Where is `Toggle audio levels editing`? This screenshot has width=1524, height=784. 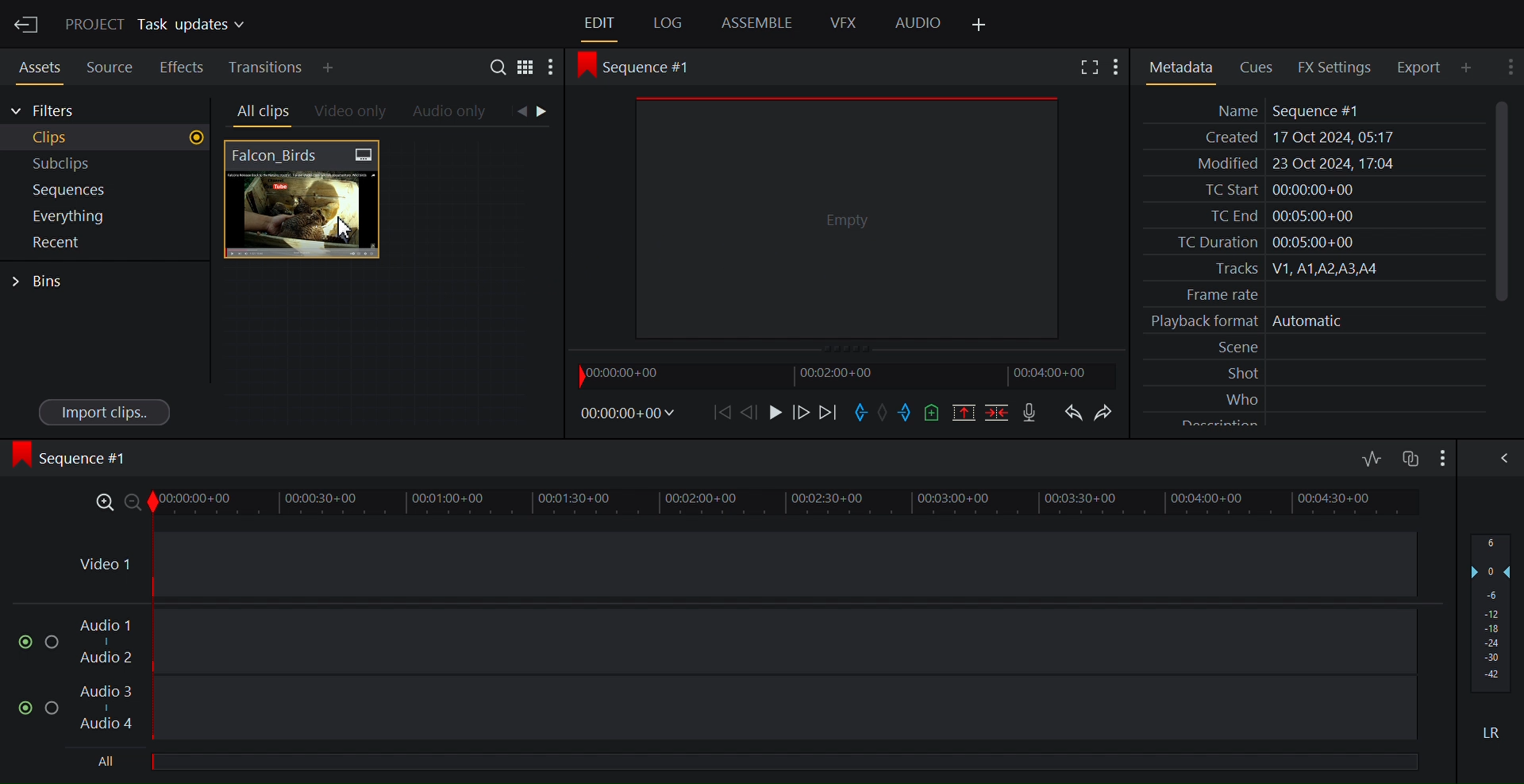 Toggle audio levels editing is located at coordinates (1372, 456).